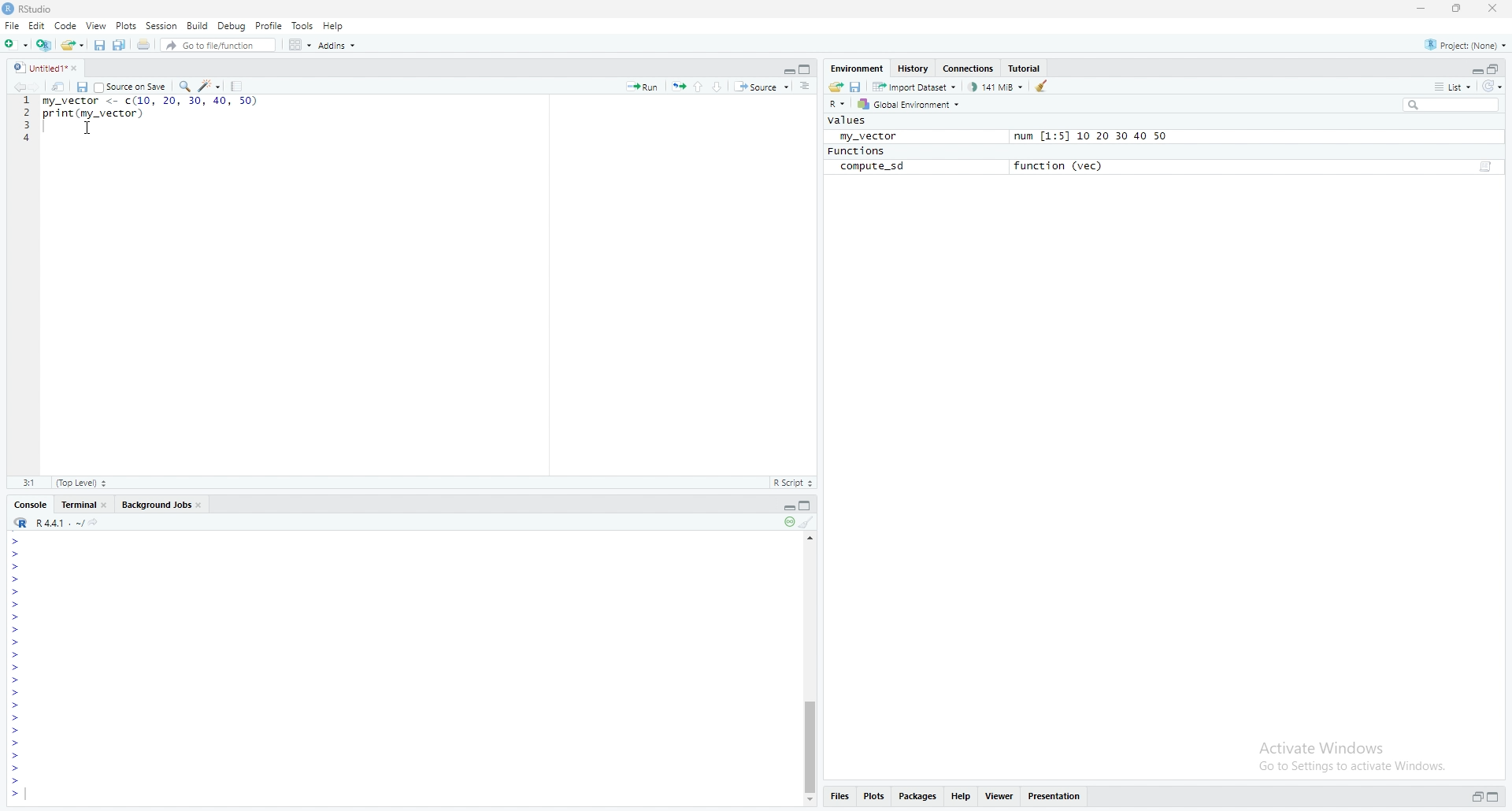  What do you see at coordinates (16, 43) in the screenshot?
I see `New Project` at bounding box center [16, 43].